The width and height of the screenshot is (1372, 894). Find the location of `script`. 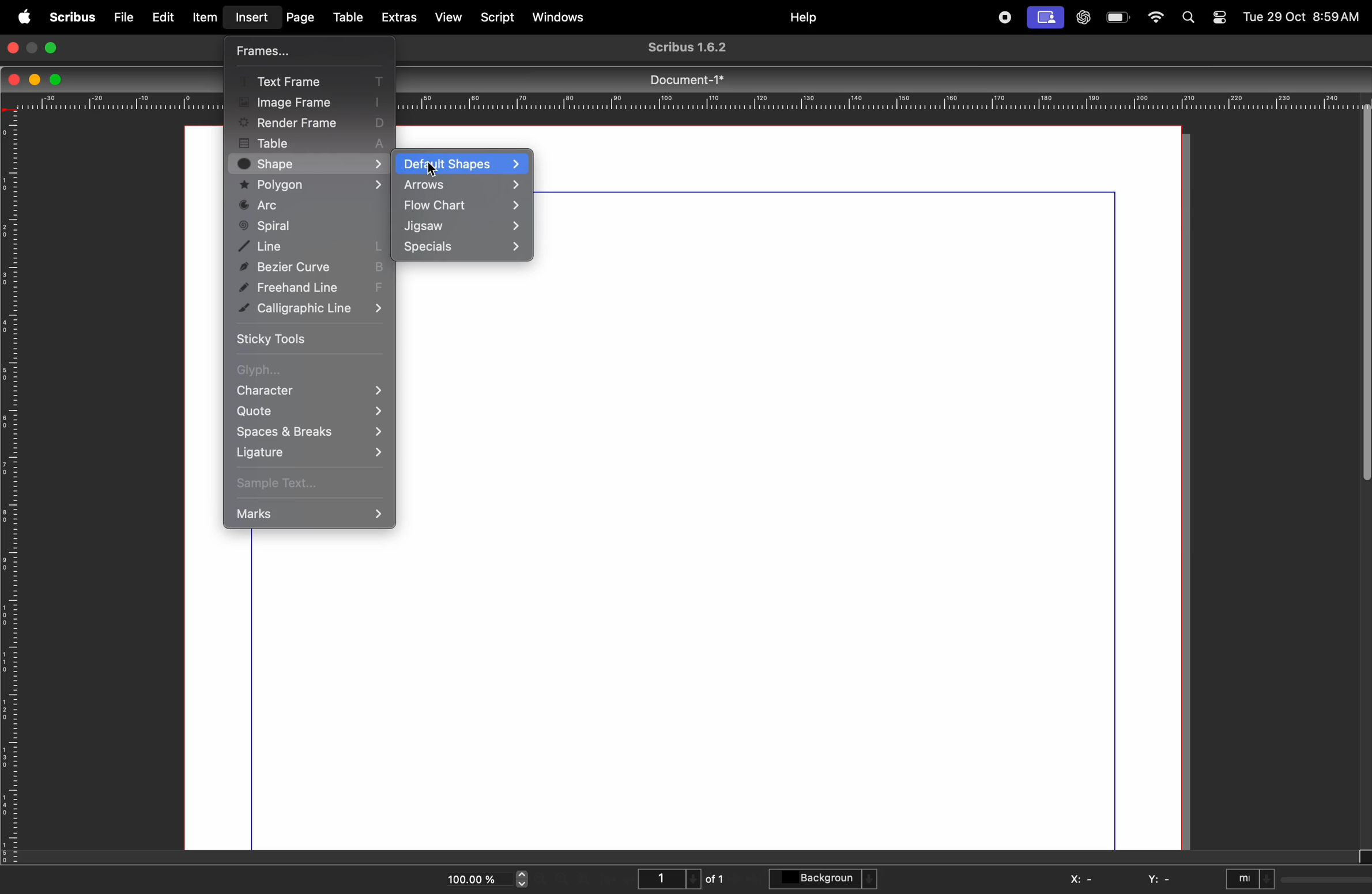

script is located at coordinates (500, 16).